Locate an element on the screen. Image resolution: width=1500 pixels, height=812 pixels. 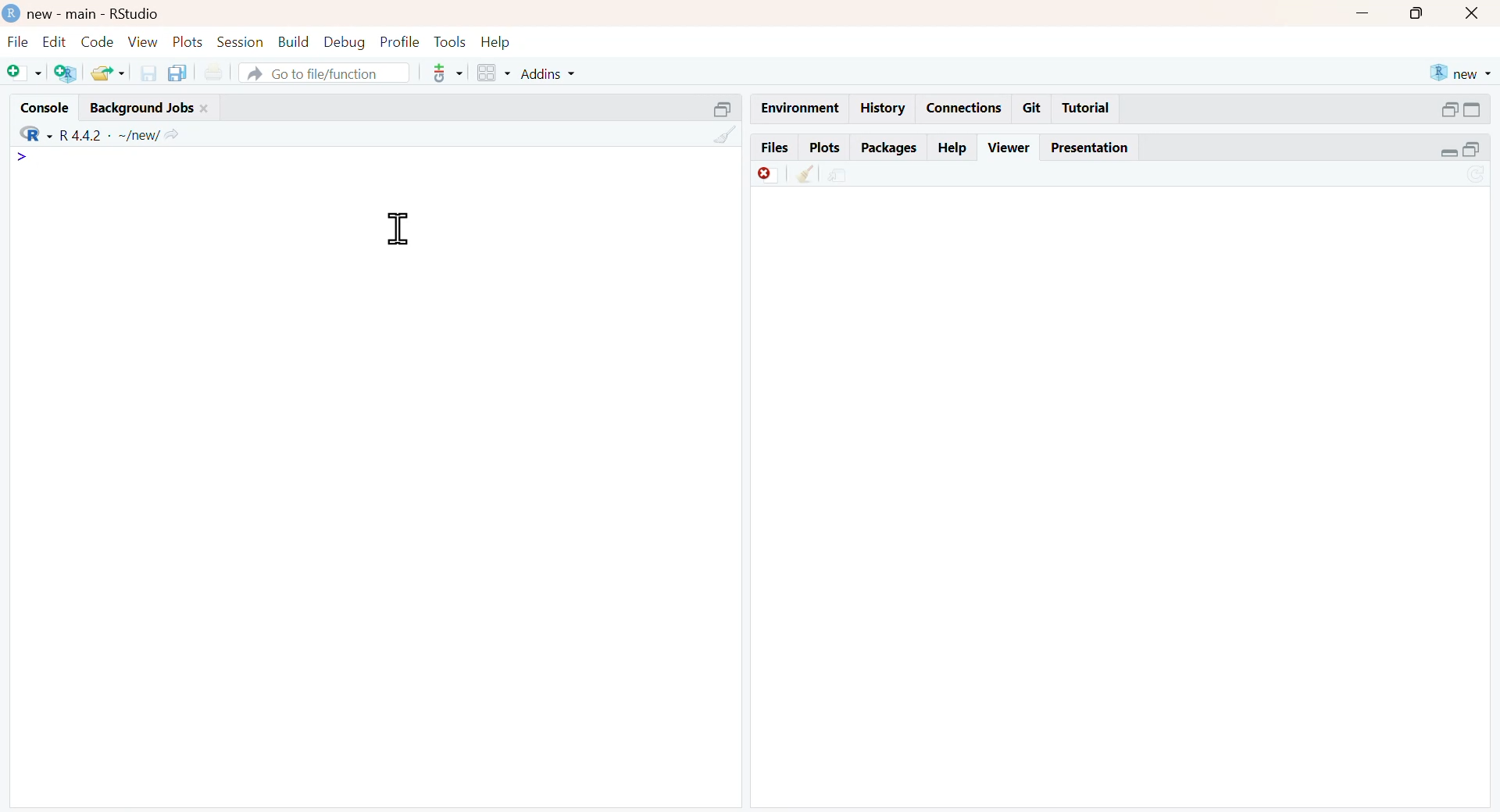
minimize is located at coordinates (1365, 13).